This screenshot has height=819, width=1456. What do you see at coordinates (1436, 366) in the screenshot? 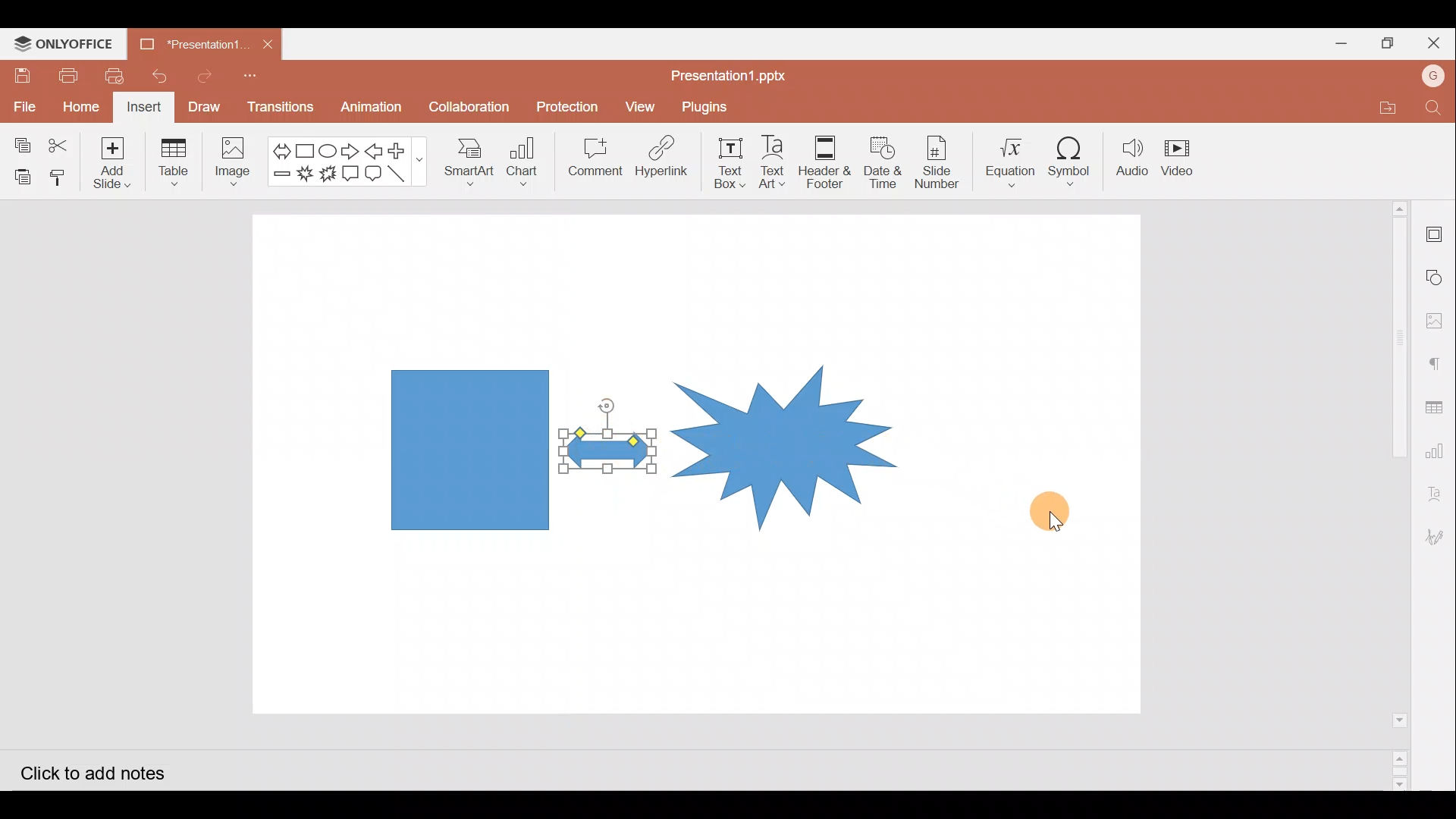
I see `Paragraph settings` at bounding box center [1436, 366].